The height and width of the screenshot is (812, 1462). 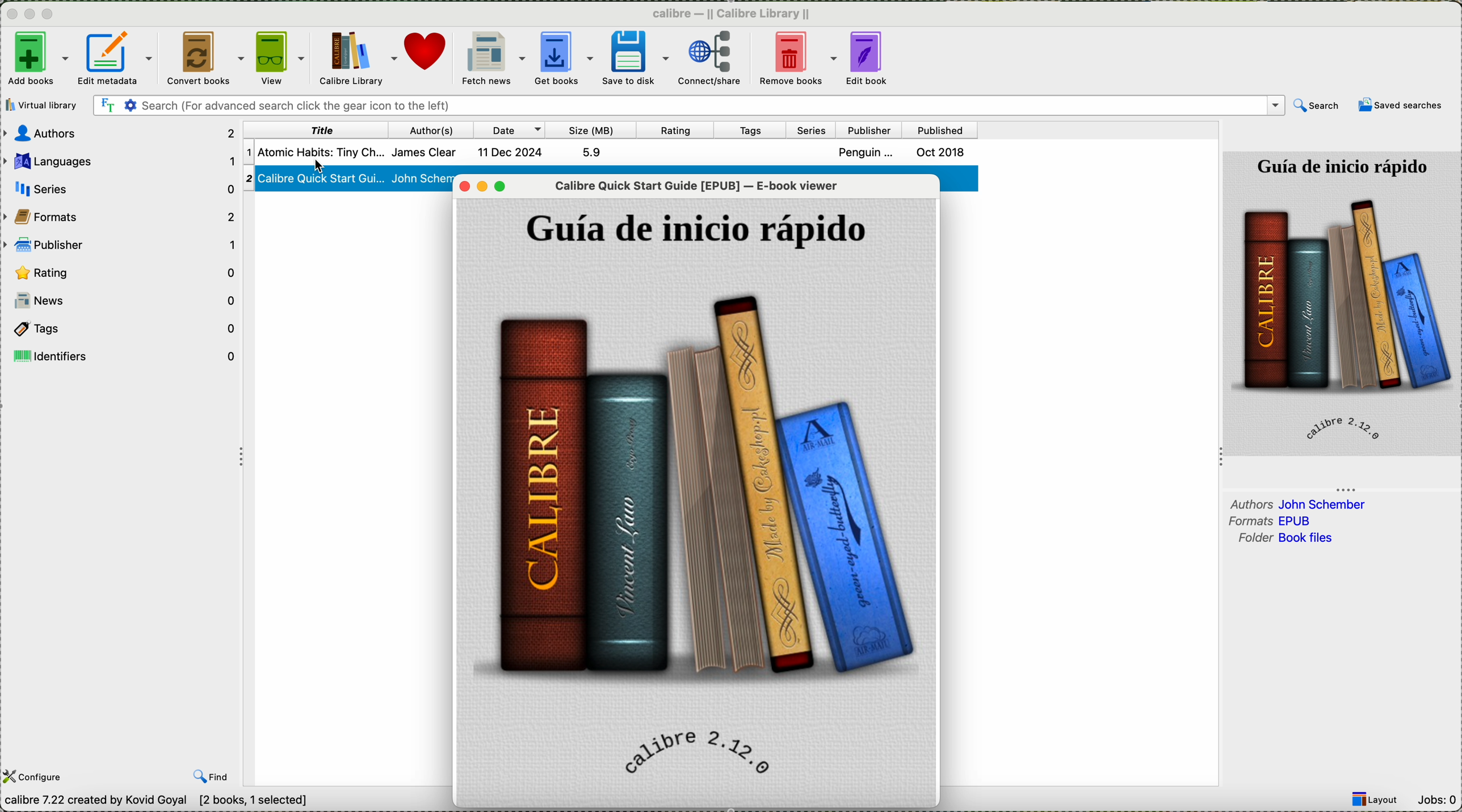 I want to click on configure, so click(x=34, y=777).